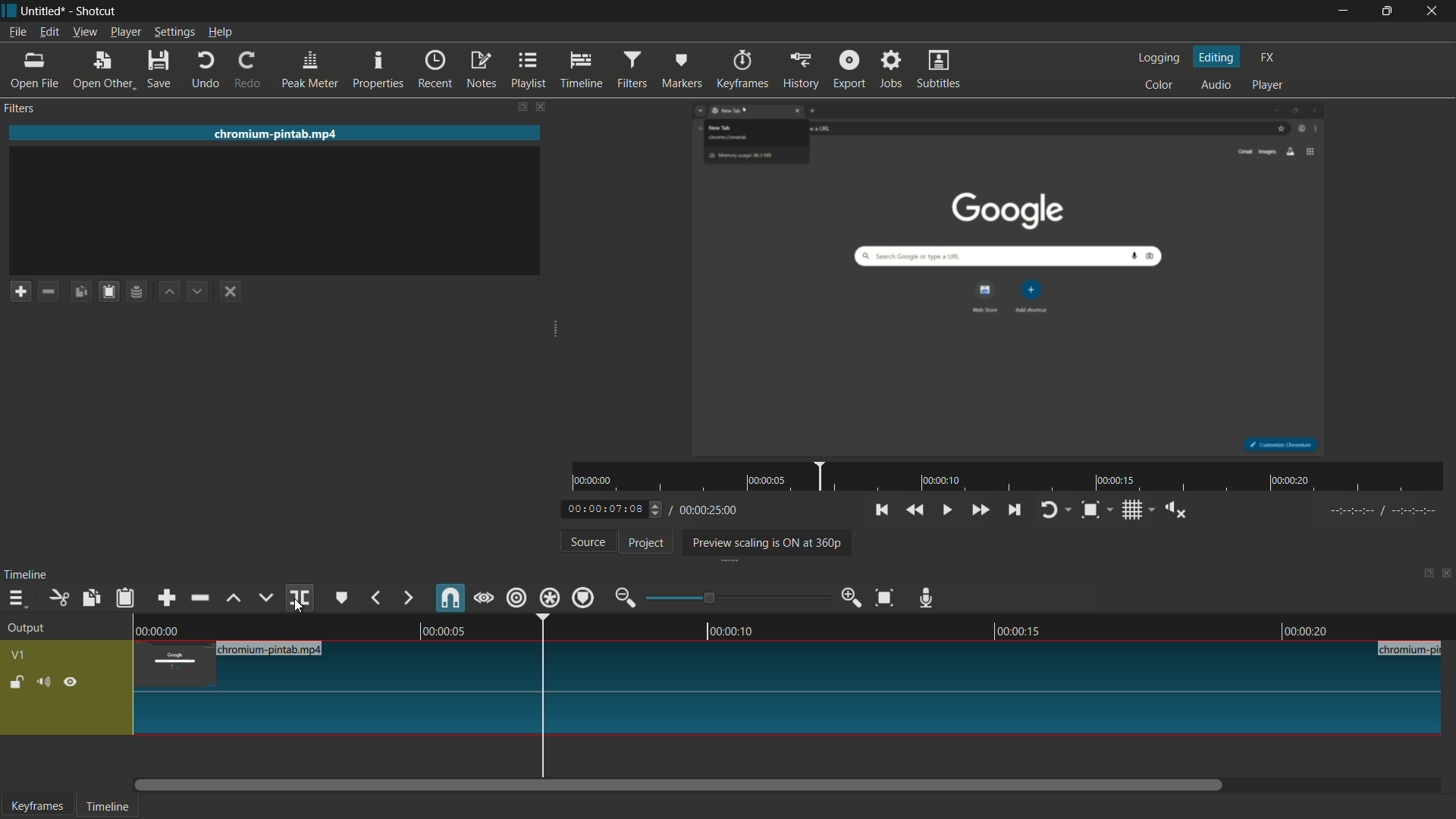 The width and height of the screenshot is (1456, 819). Describe the element at coordinates (679, 785) in the screenshot. I see `scroll bar` at that location.